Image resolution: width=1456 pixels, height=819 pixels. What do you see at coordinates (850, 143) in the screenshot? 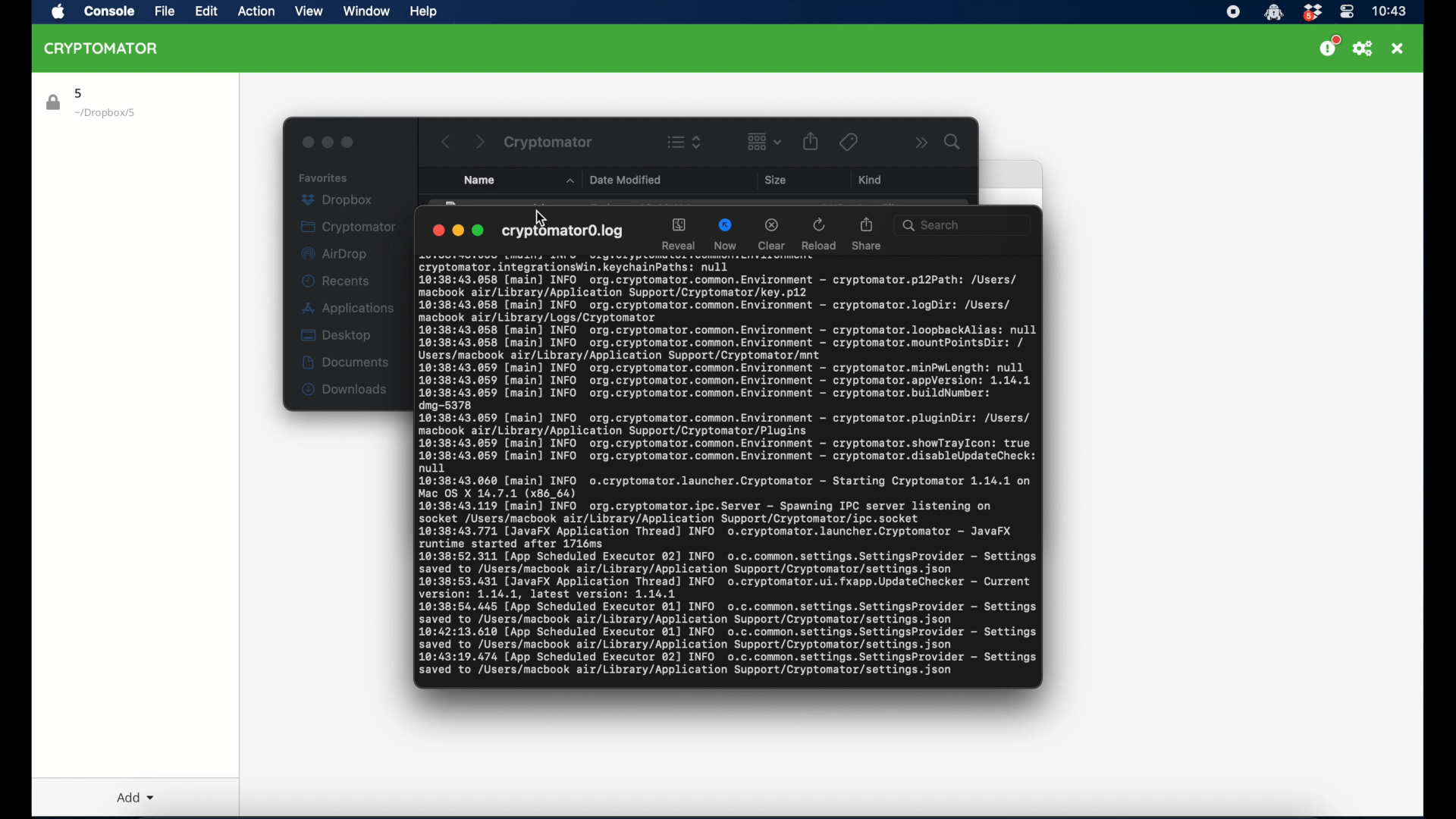
I see `tags` at bounding box center [850, 143].